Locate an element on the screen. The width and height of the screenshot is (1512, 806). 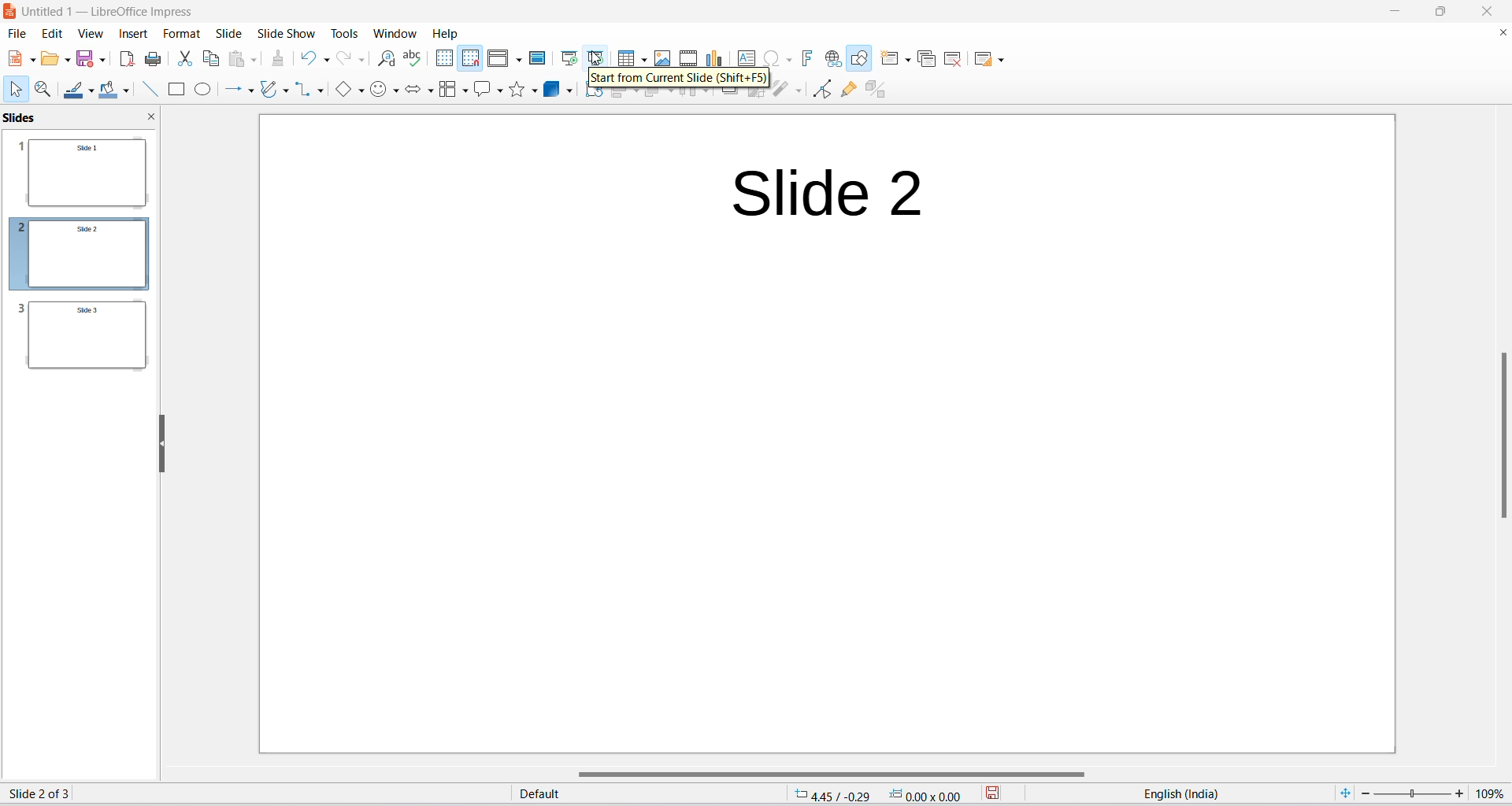
new slide options is located at coordinates (891, 60).